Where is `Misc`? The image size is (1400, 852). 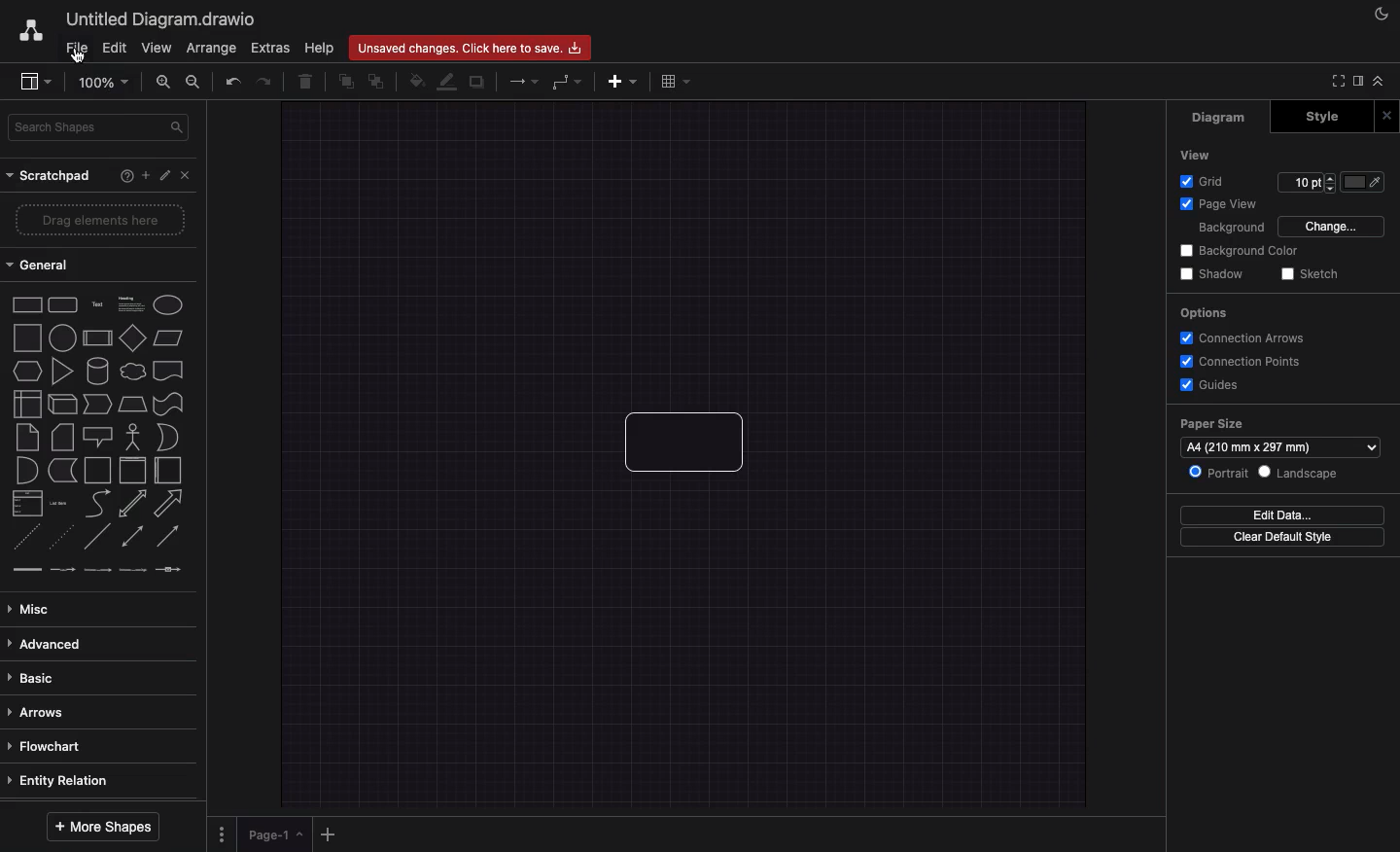
Misc is located at coordinates (40, 609).